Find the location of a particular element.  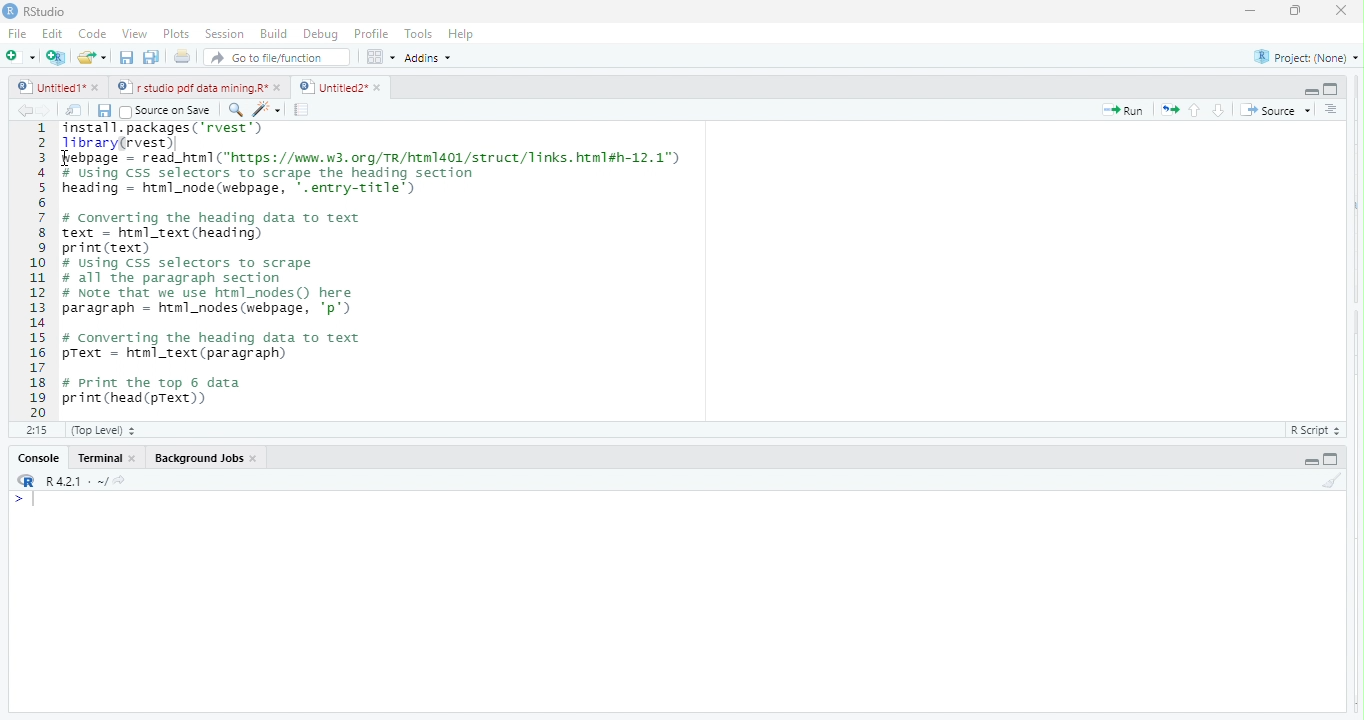

File is located at coordinates (17, 34).